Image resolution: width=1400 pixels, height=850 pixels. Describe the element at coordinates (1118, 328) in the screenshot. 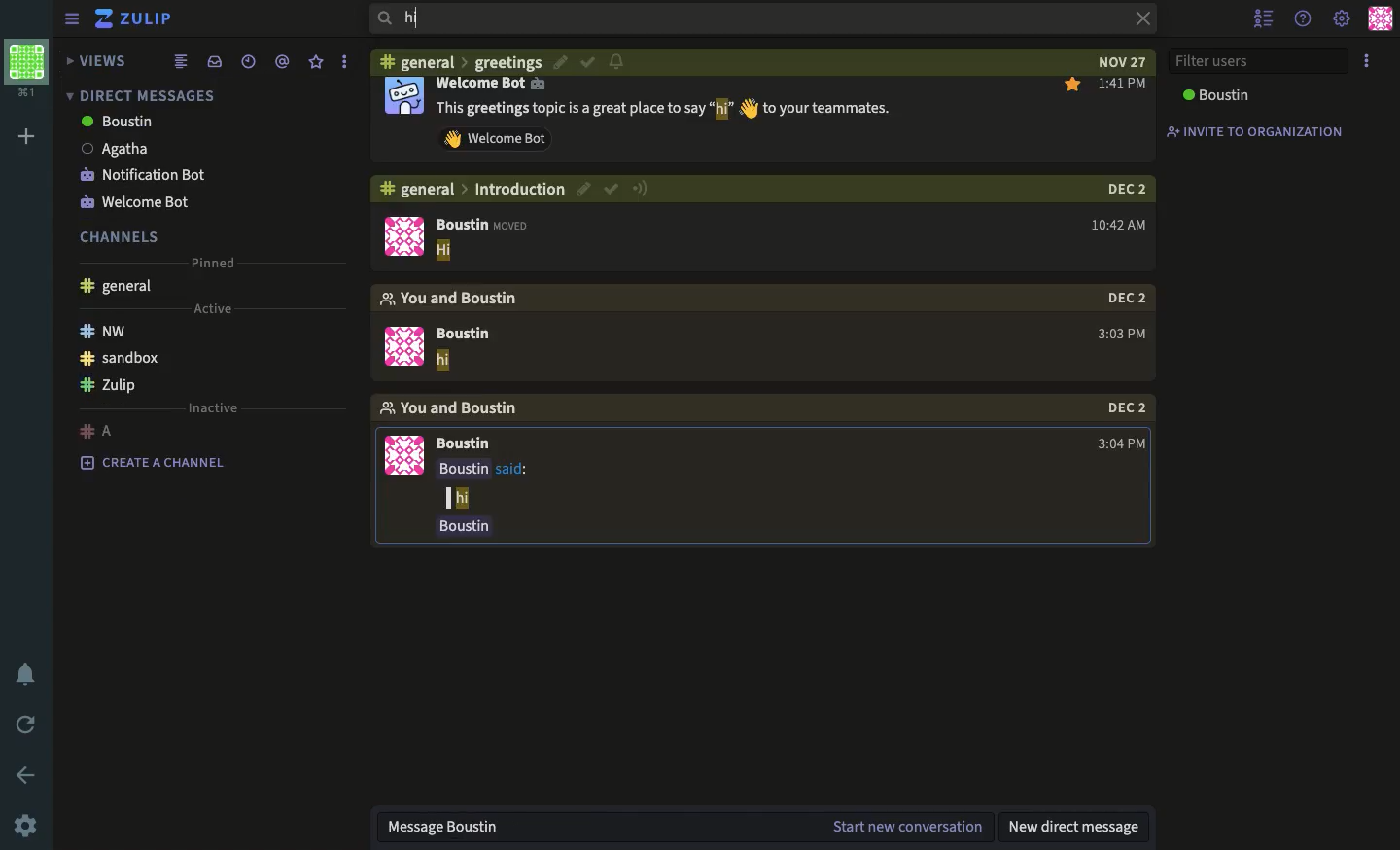

I see `3:03PM` at that location.